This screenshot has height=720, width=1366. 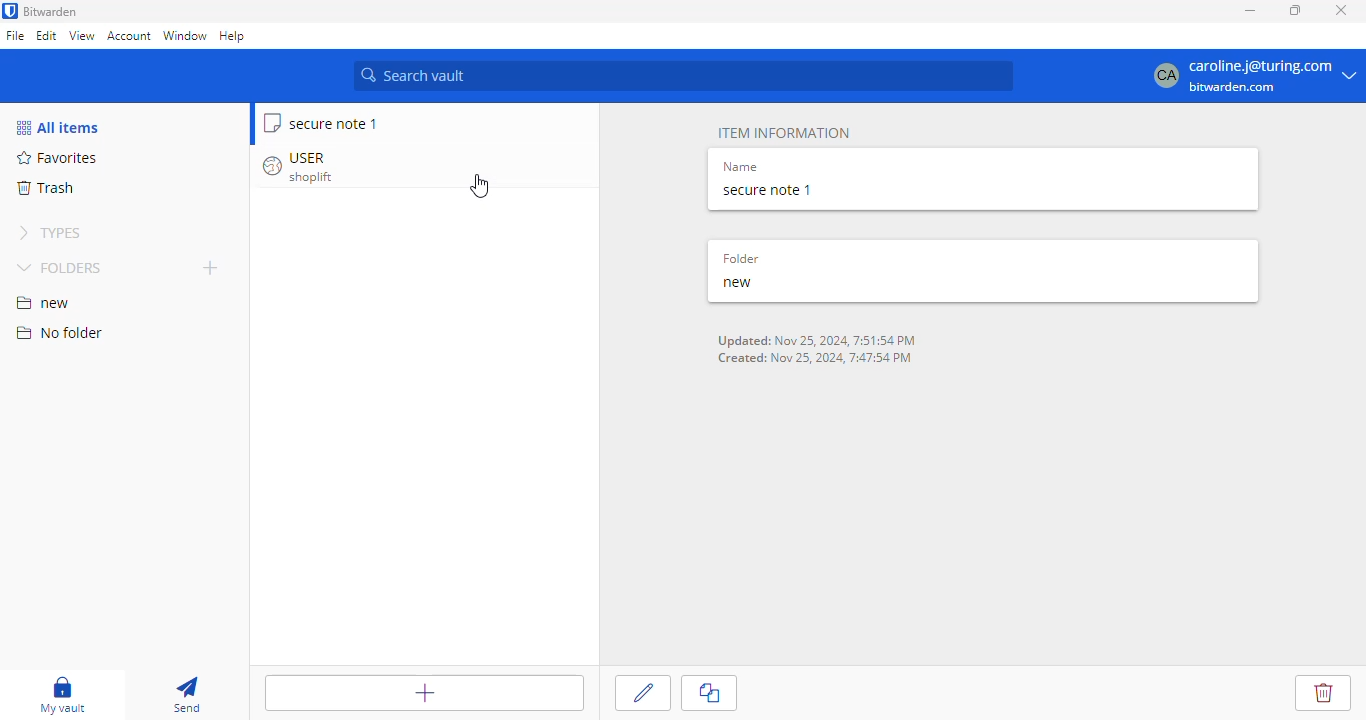 What do you see at coordinates (10, 11) in the screenshot?
I see `logo` at bounding box center [10, 11].